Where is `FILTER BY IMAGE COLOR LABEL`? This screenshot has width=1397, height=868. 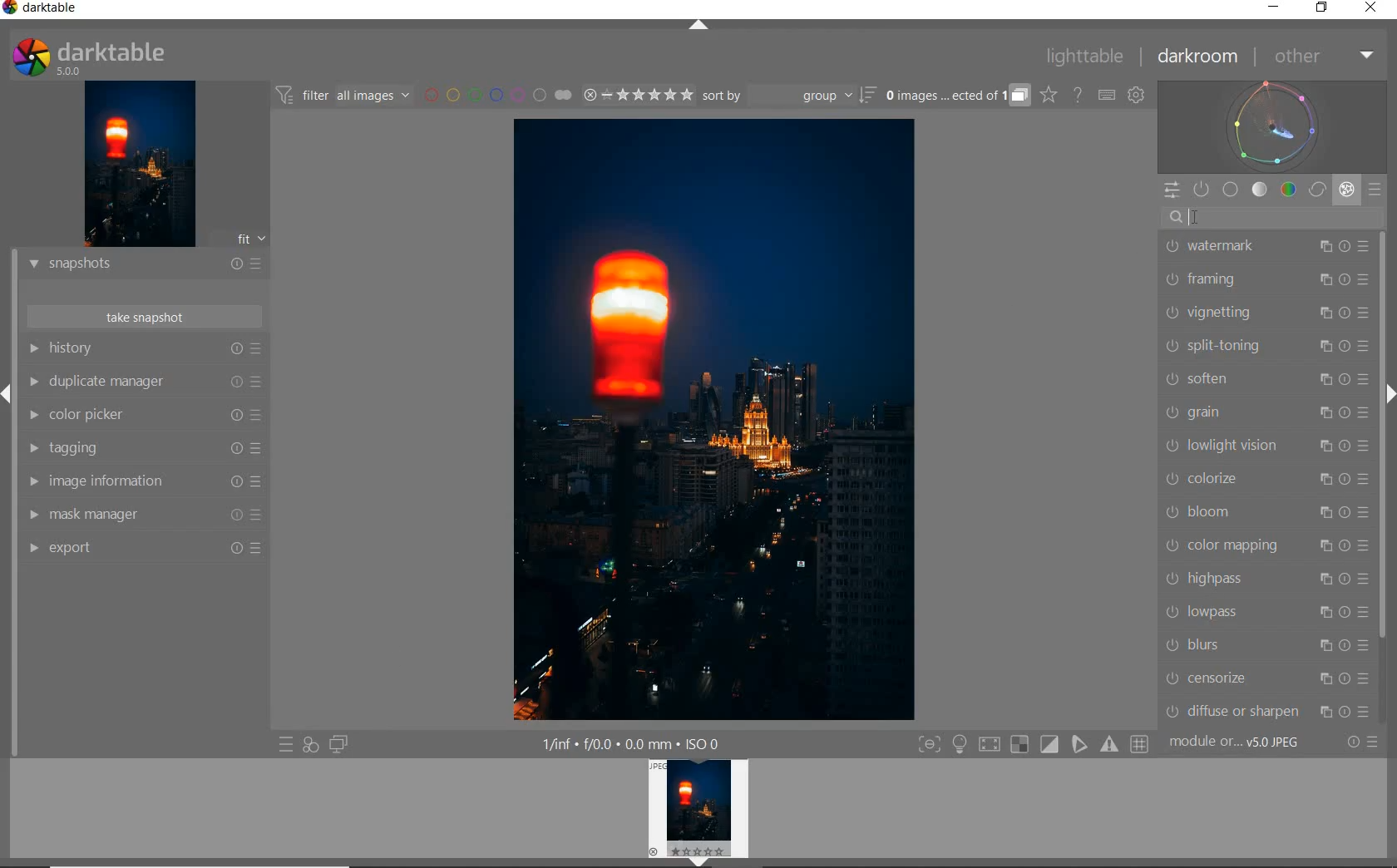
FILTER BY IMAGE COLOR LABEL is located at coordinates (498, 96).